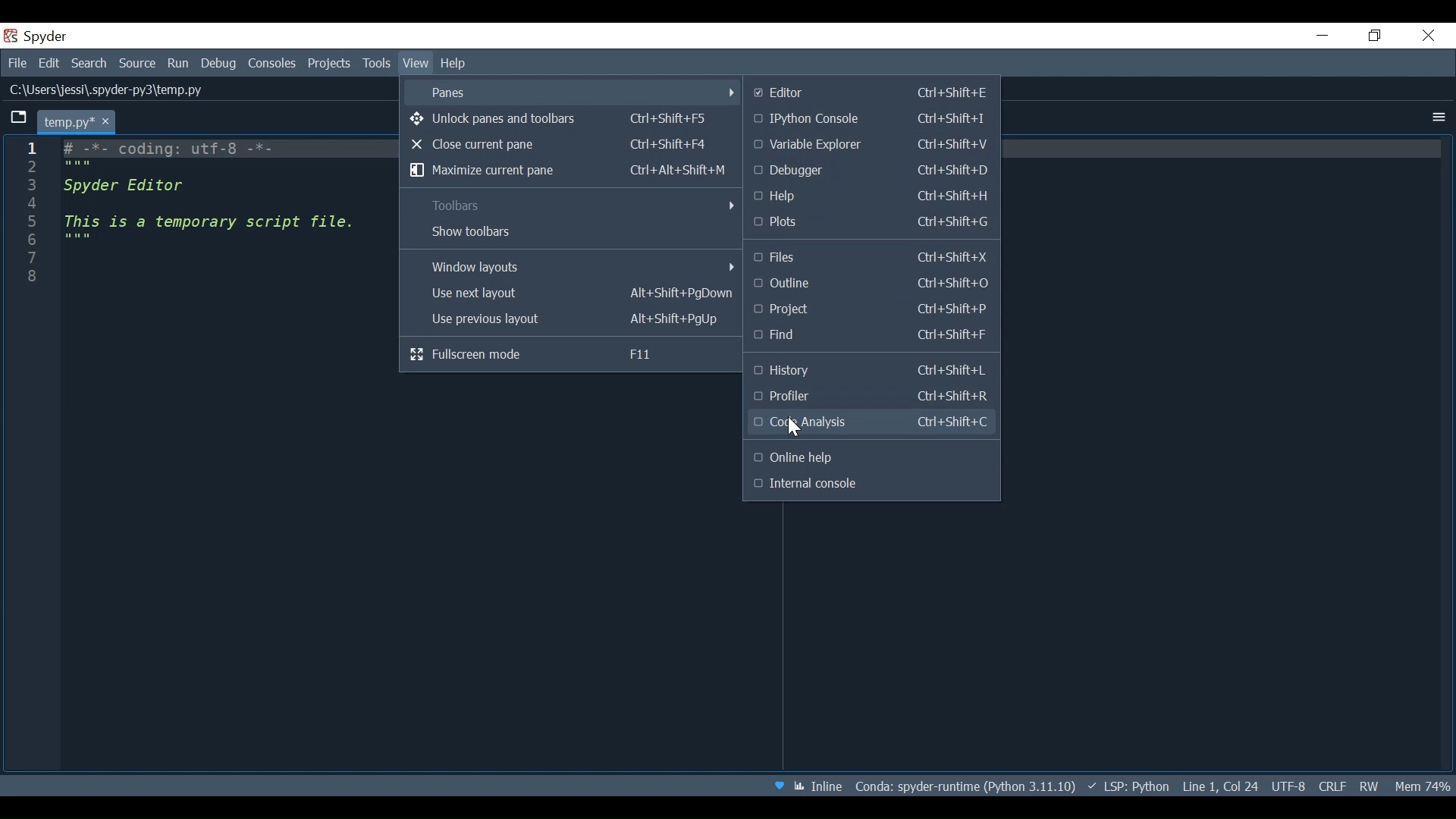 This screenshot has height=819, width=1456. What do you see at coordinates (570, 233) in the screenshot?
I see `Show Toolbars` at bounding box center [570, 233].